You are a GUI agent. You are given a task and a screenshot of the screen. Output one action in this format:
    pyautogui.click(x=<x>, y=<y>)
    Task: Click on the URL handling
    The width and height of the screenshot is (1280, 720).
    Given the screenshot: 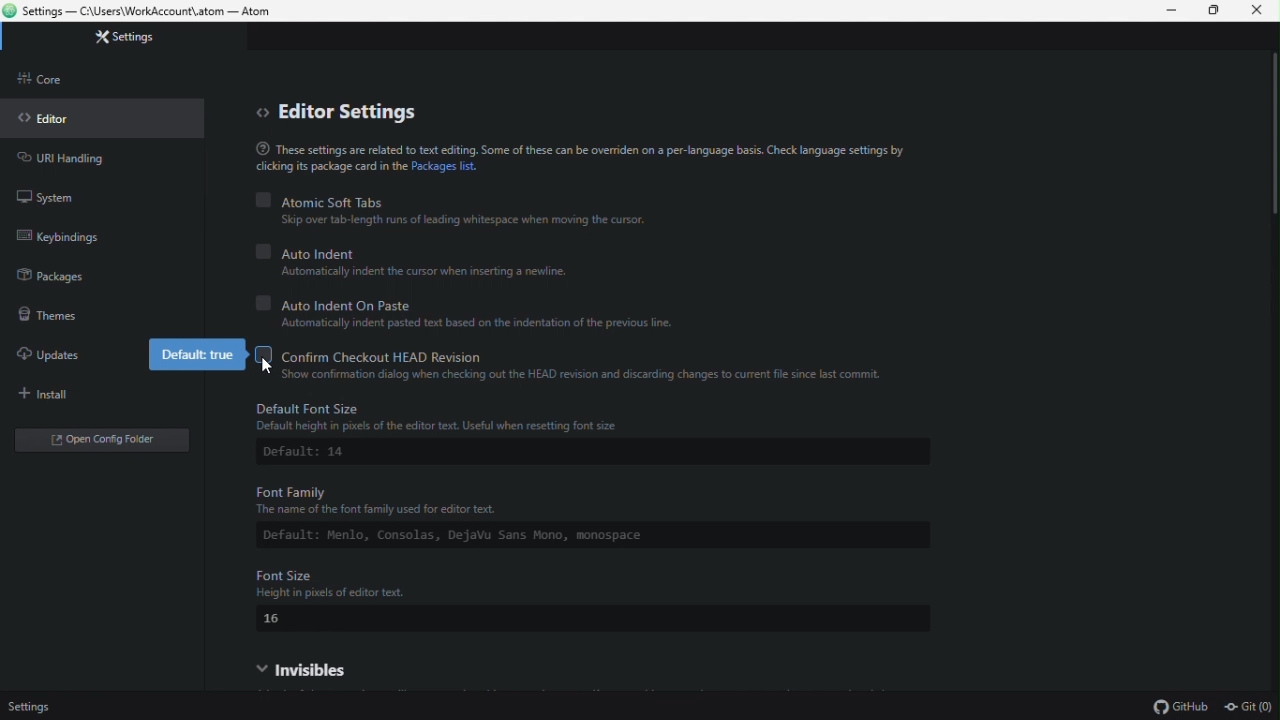 What is the action you would take?
    pyautogui.click(x=83, y=160)
    